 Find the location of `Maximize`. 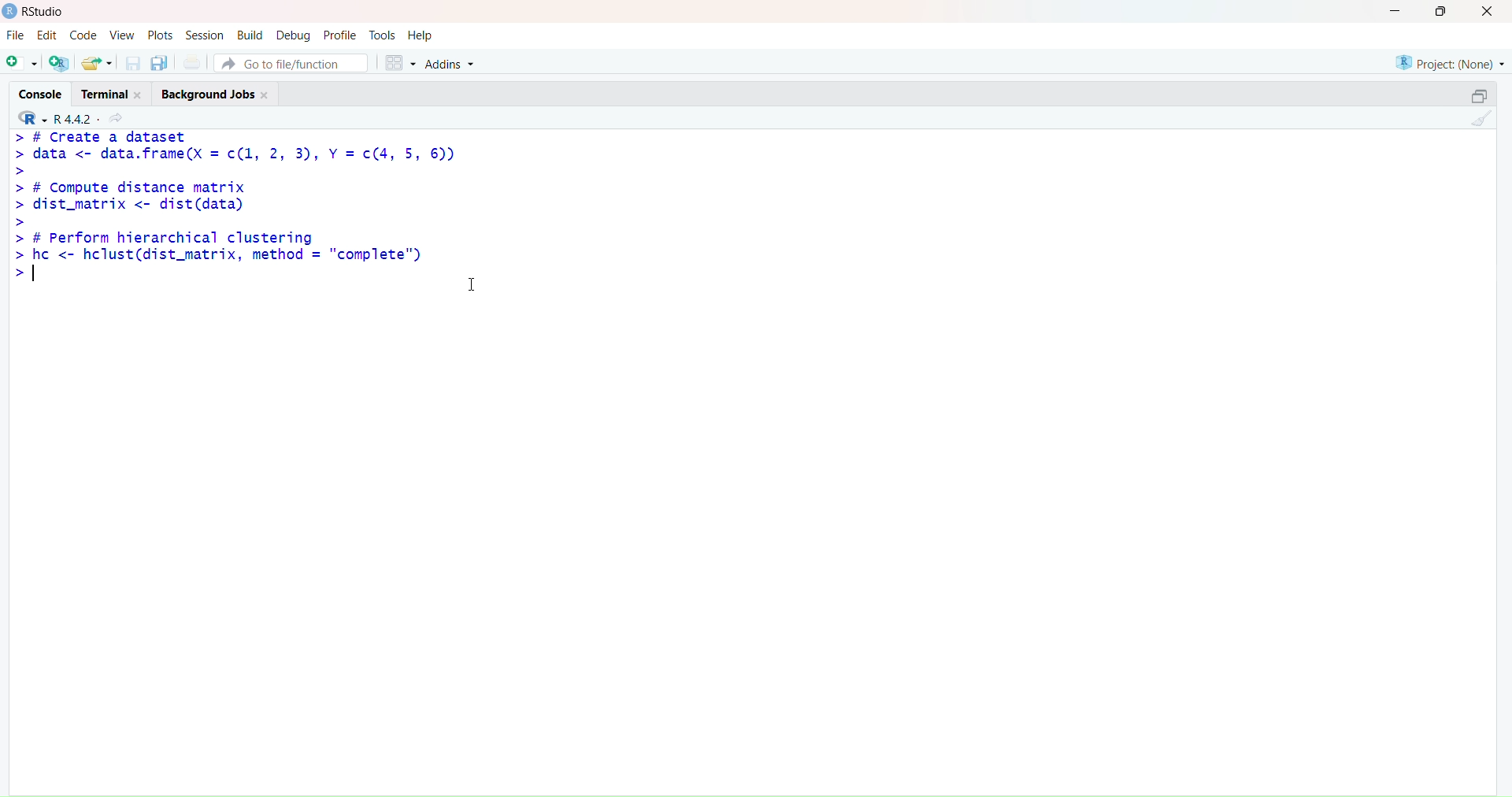

Maximize is located at coordinates (1475, 96).